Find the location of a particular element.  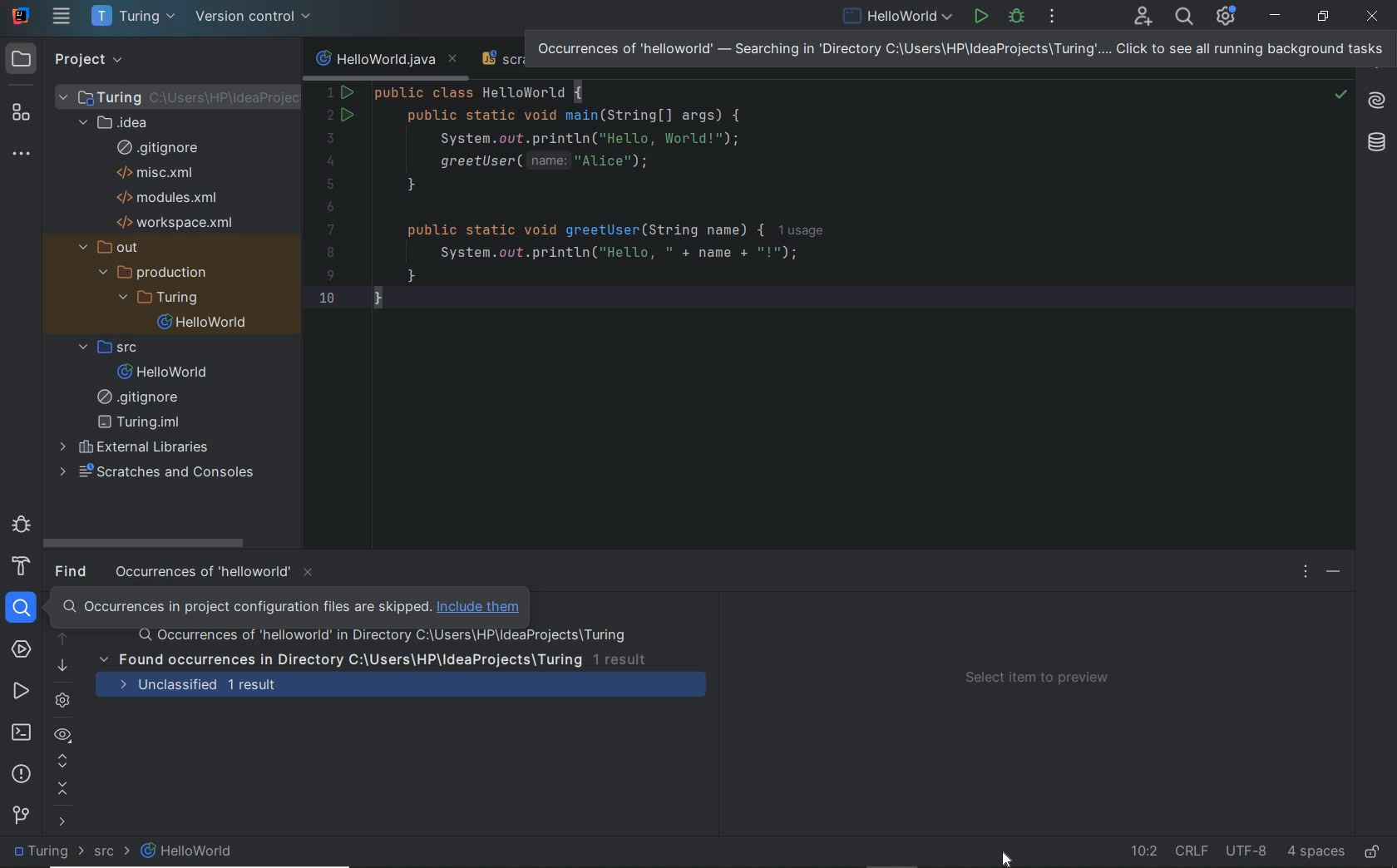

HelloWorld is located at coordinates (214, 323).